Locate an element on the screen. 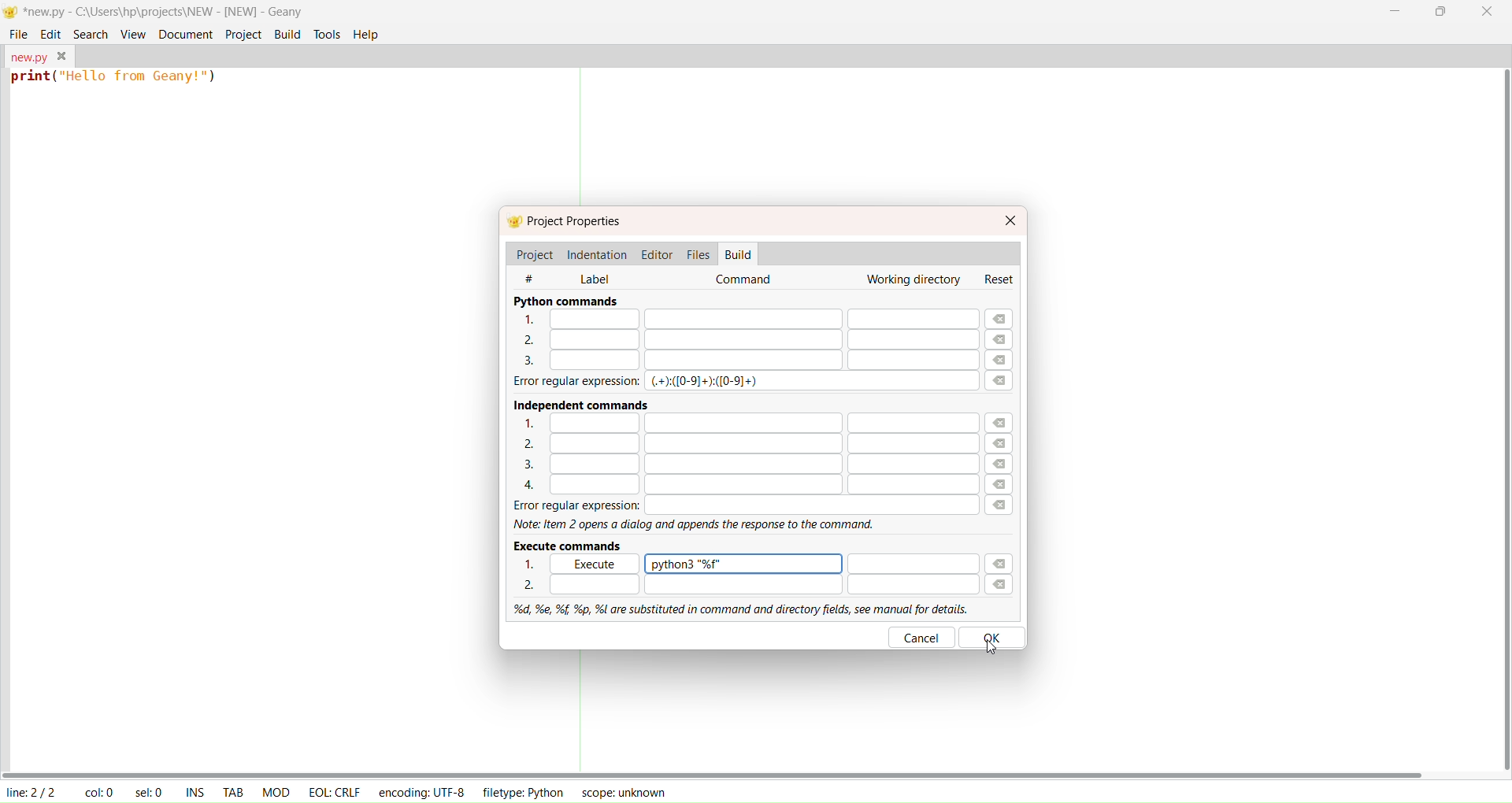 Image resolution: width=1512 pixels, height=803 pixels. file type: Python is located at coordinates (521, 794).